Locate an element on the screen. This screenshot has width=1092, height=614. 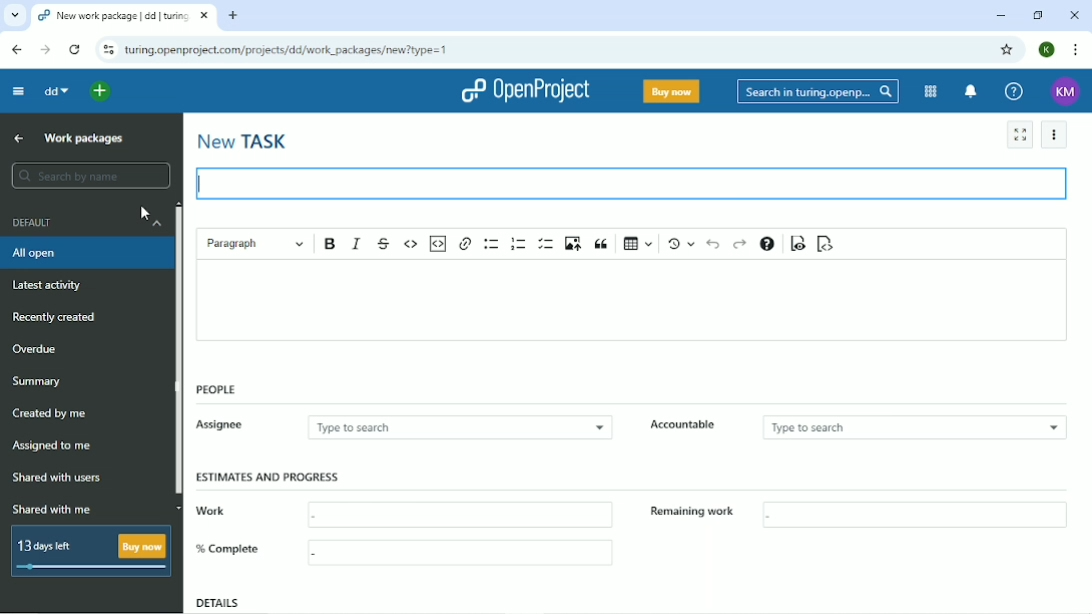
Latest activity is located at coordinates (45, 284).